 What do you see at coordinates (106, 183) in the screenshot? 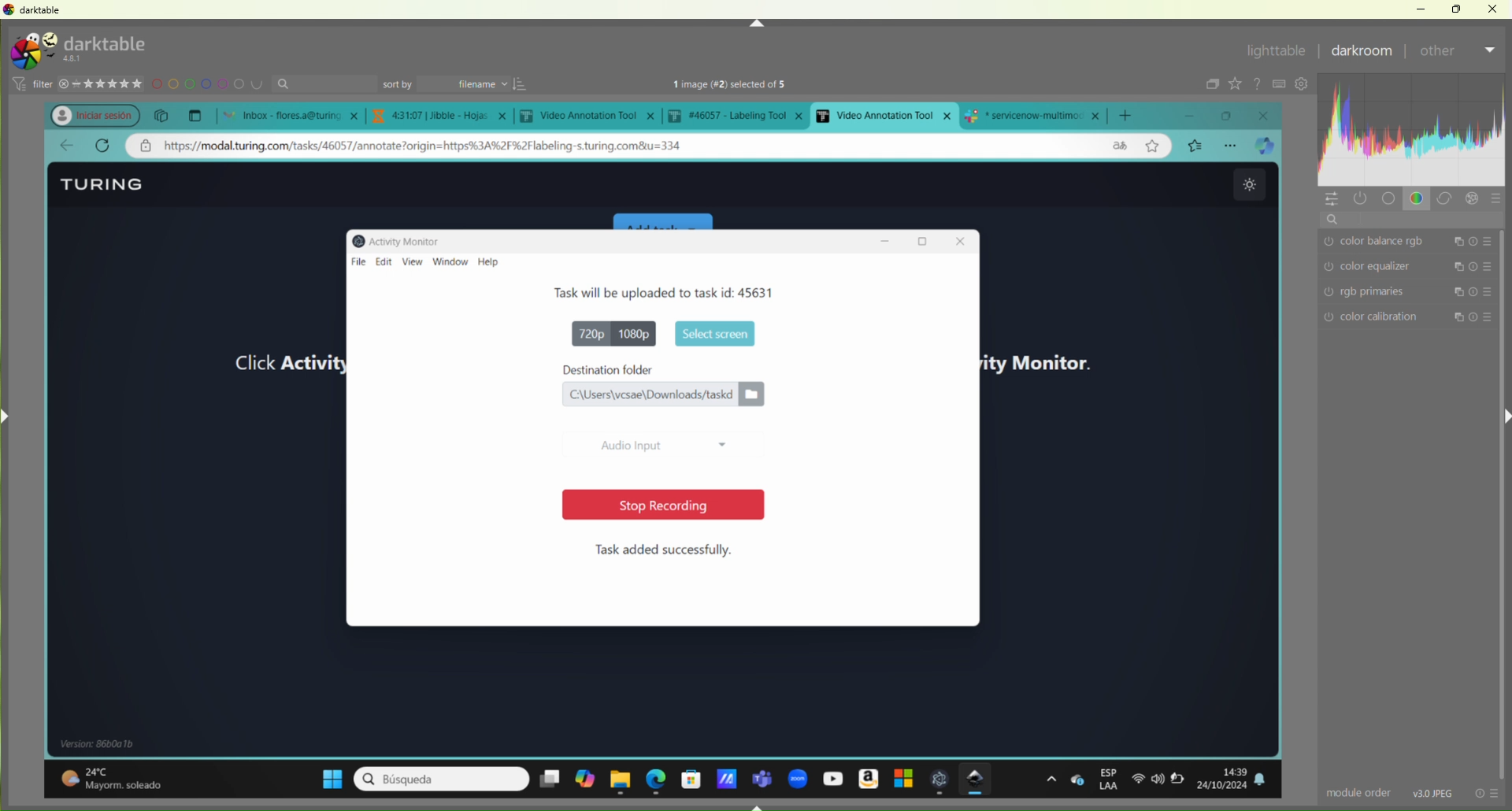
I see `Turing` at bounding box center [106, 183].